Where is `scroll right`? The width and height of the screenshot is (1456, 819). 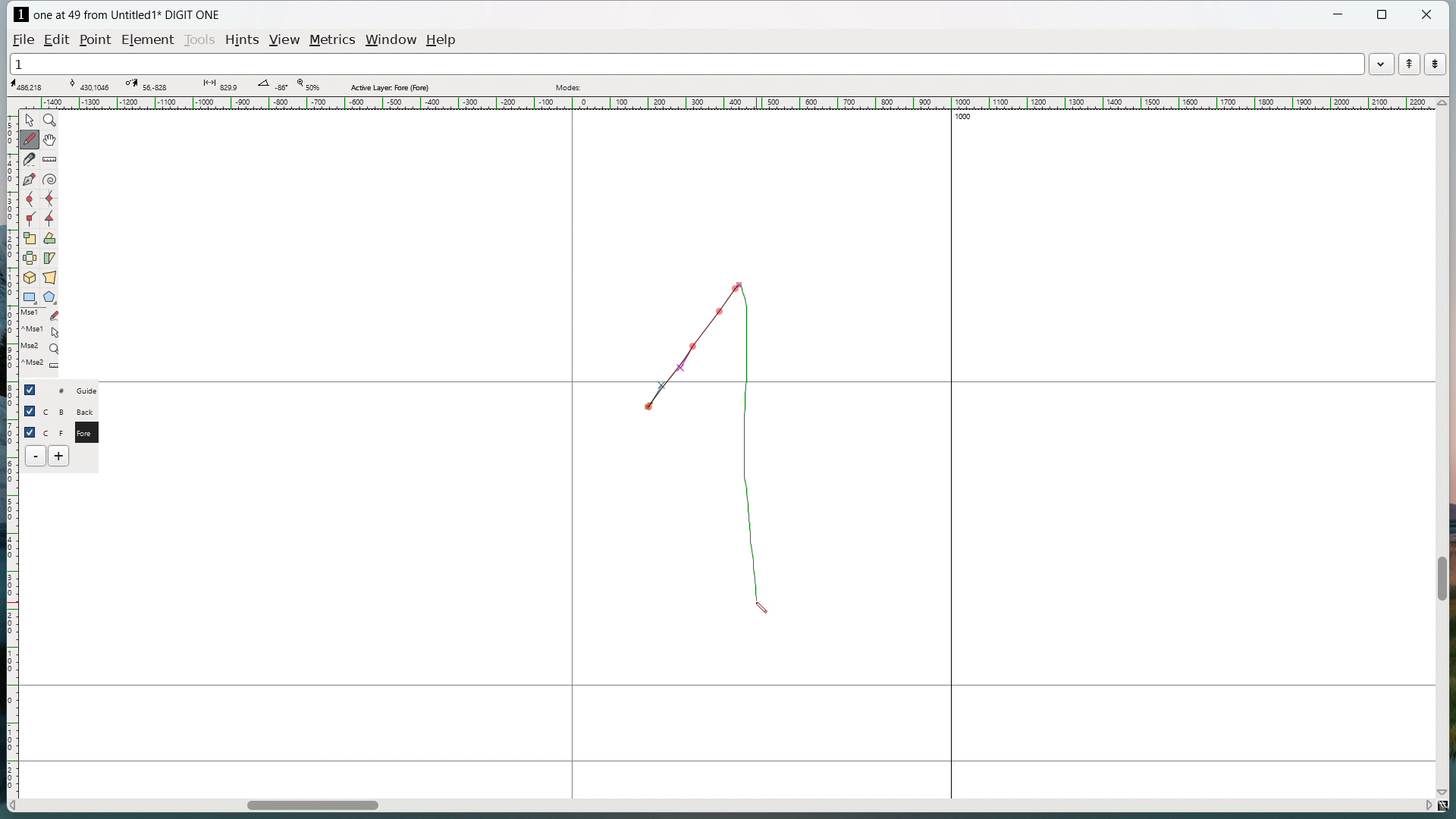 scroll right is located at coordinates (1426, 804).